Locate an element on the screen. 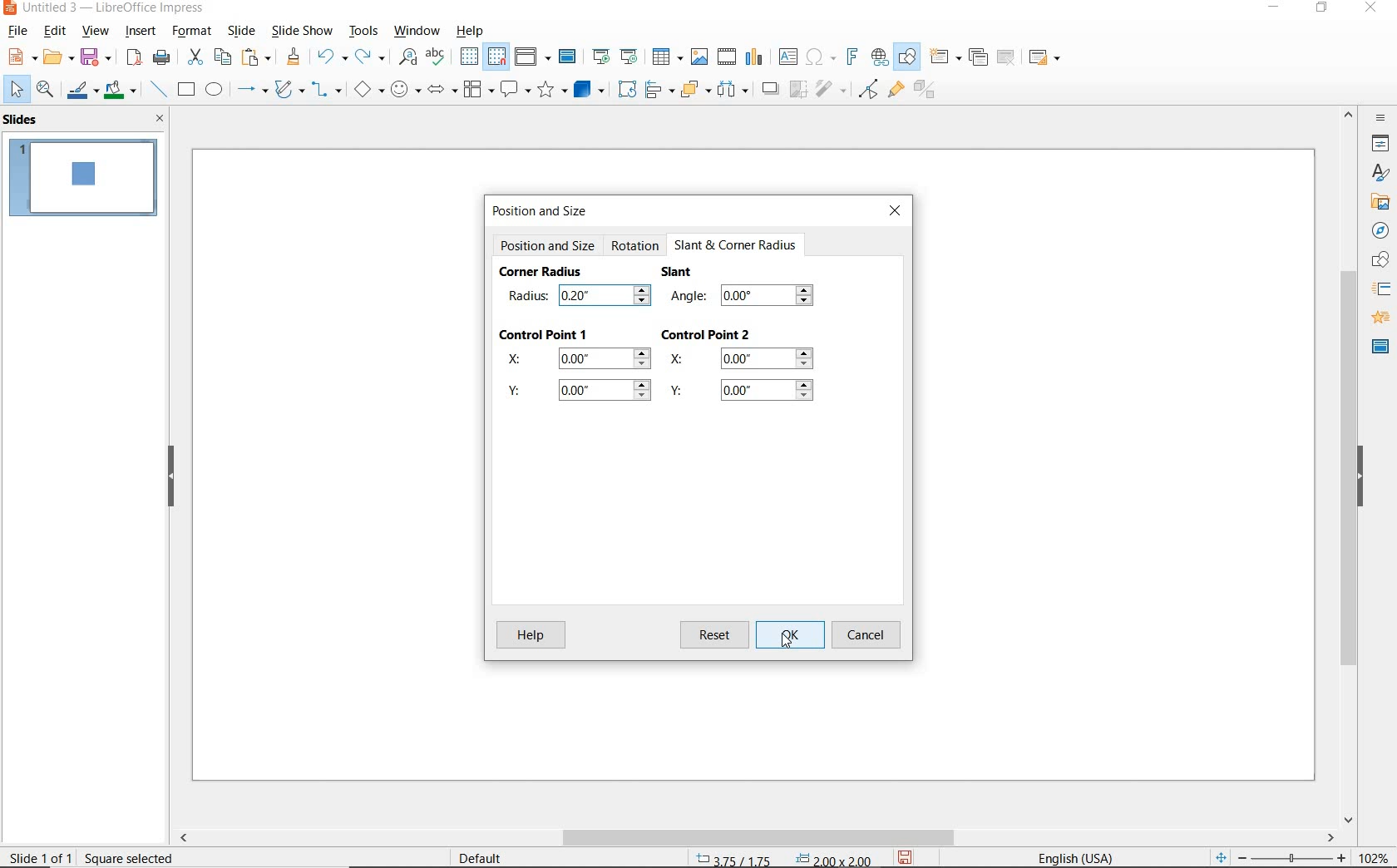  print is located at coordinates (163, 57).